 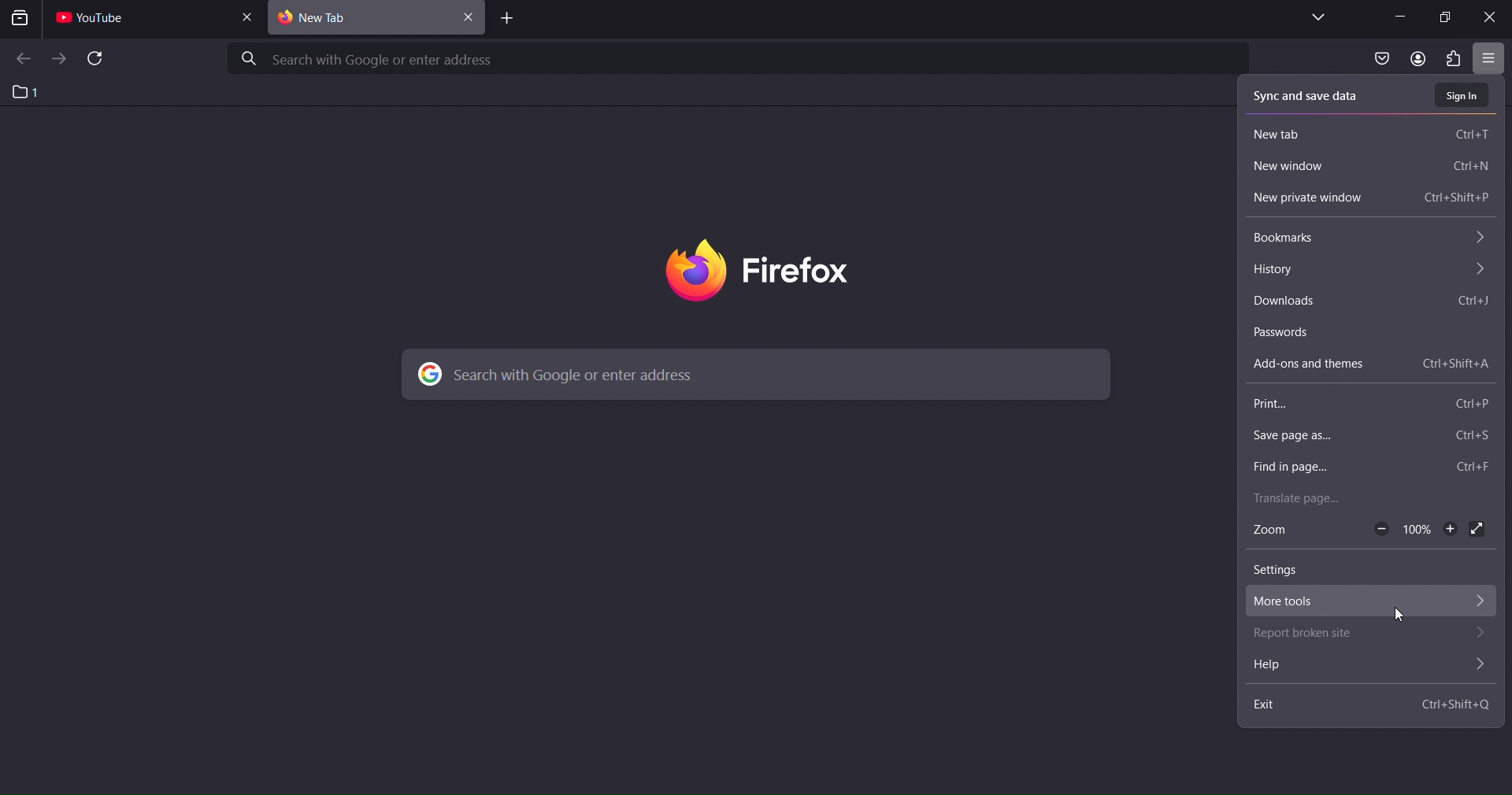 I want to click on translate page, so click(x=1306, y=497).